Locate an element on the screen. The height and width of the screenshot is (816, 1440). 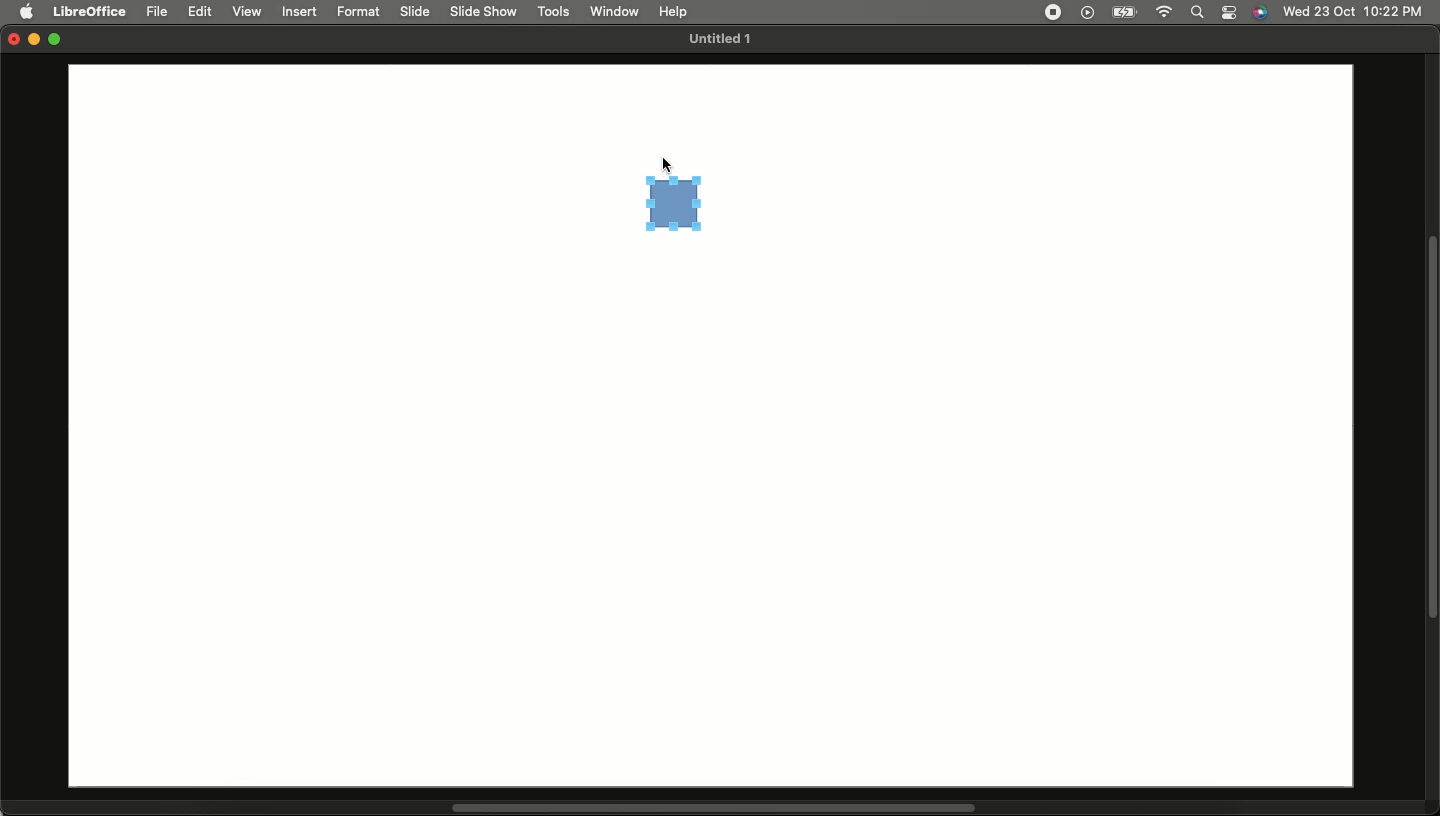
Maximize is located at coordinates (58, 41).